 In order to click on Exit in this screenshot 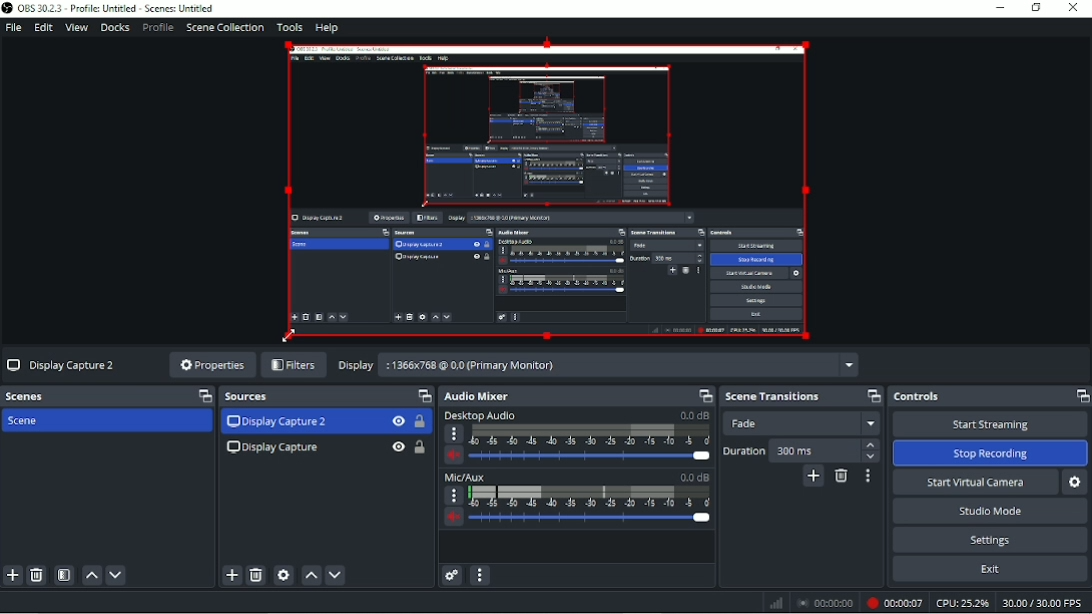, I will do `click(989, 569)`.